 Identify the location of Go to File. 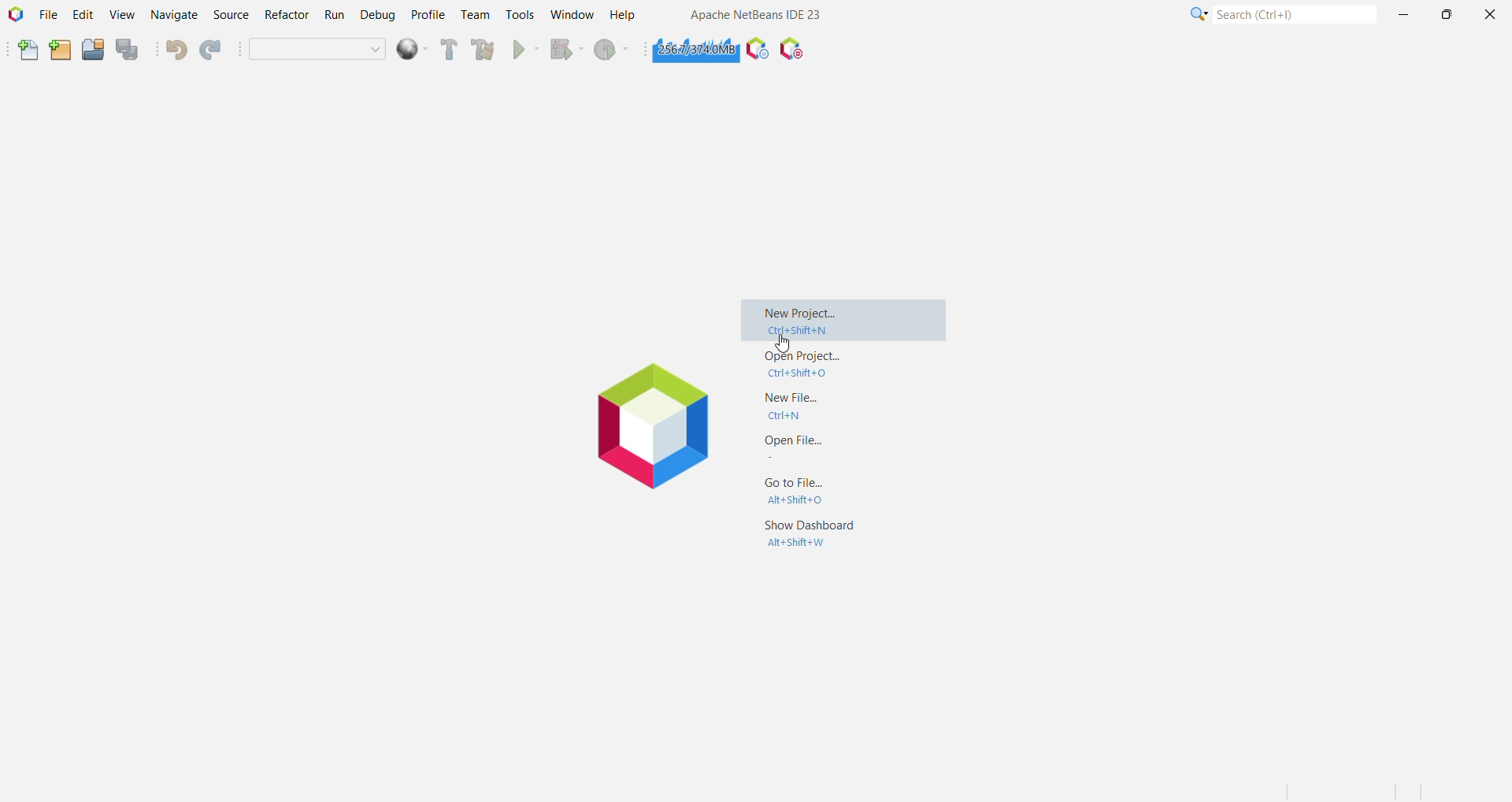
(846, 491).